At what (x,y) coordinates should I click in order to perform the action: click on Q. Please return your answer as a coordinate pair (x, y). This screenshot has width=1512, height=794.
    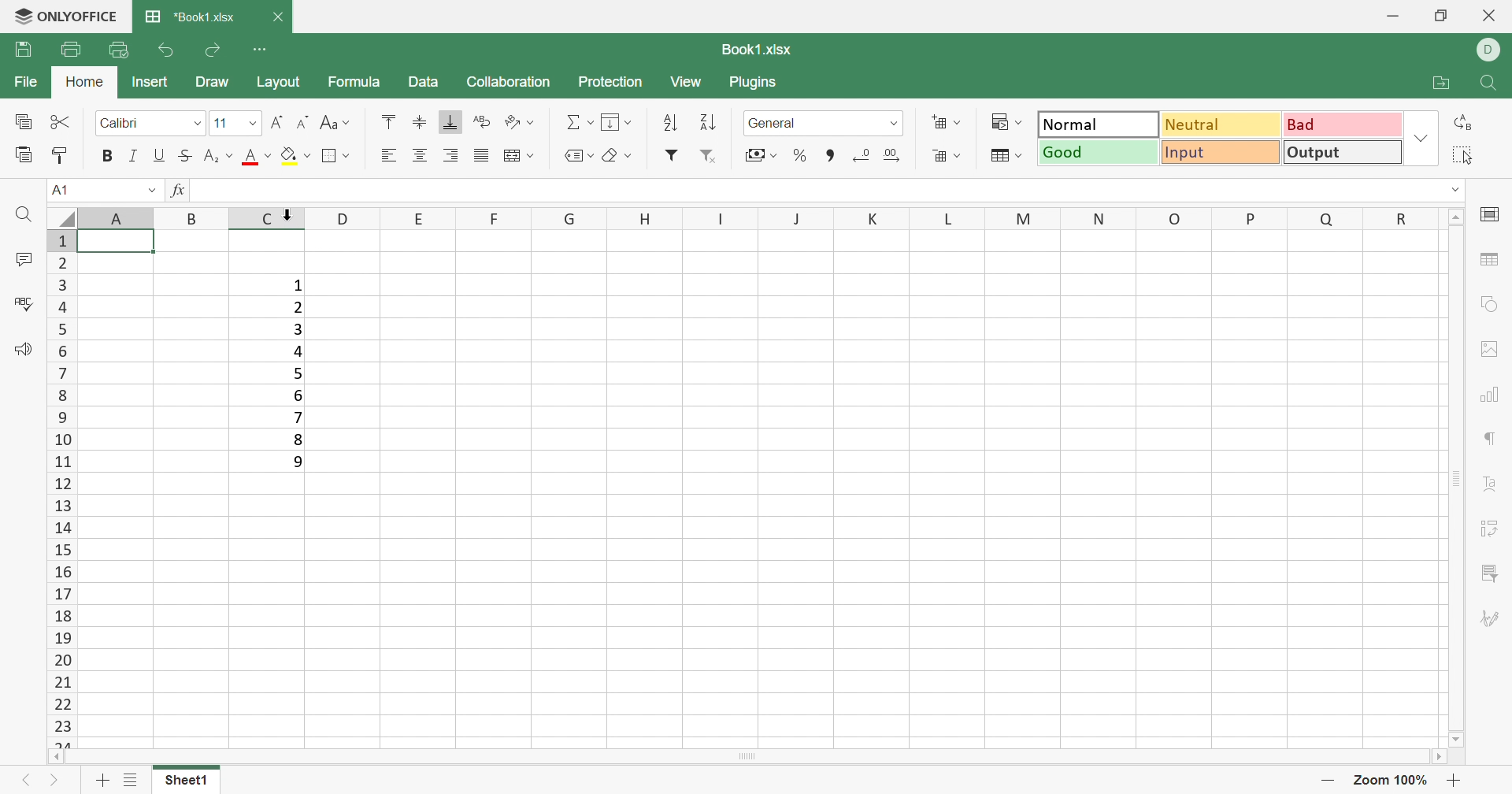
    Looking at the image, I should click on (1317, 219).